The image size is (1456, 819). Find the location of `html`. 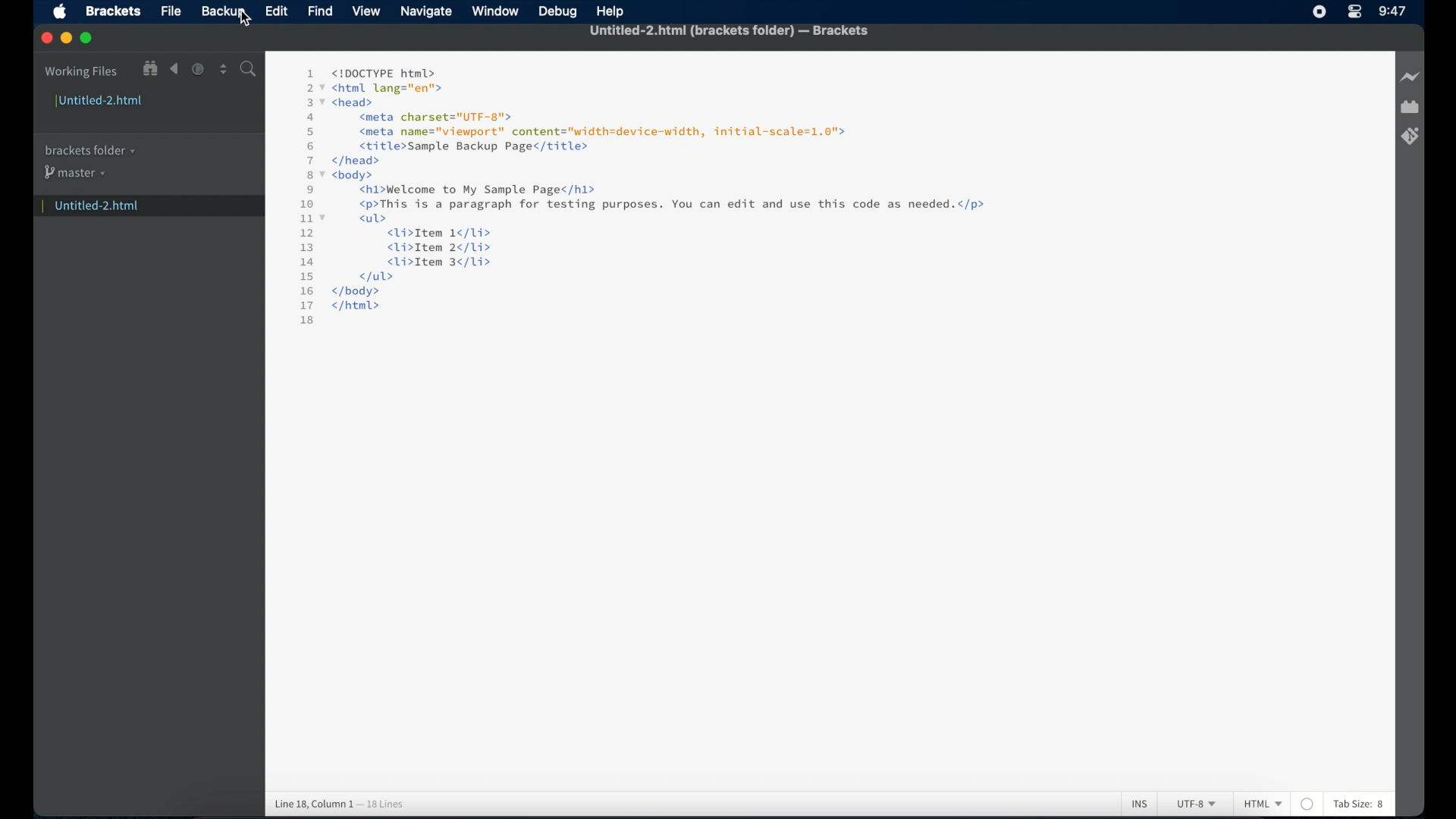

html is located at coordinates (1263, 804).